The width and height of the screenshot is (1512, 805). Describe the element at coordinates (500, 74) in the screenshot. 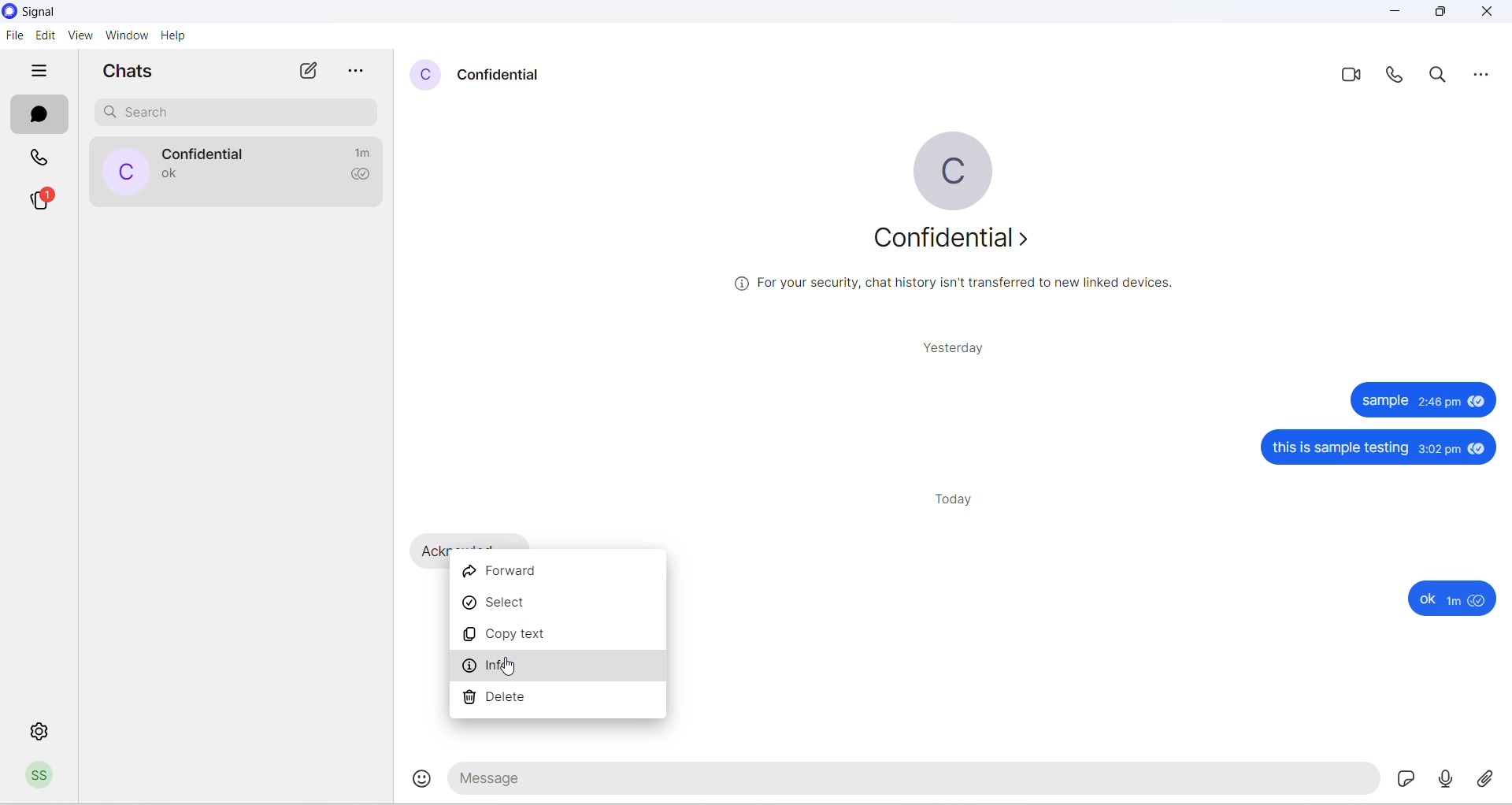

I see `contact name` at that location.